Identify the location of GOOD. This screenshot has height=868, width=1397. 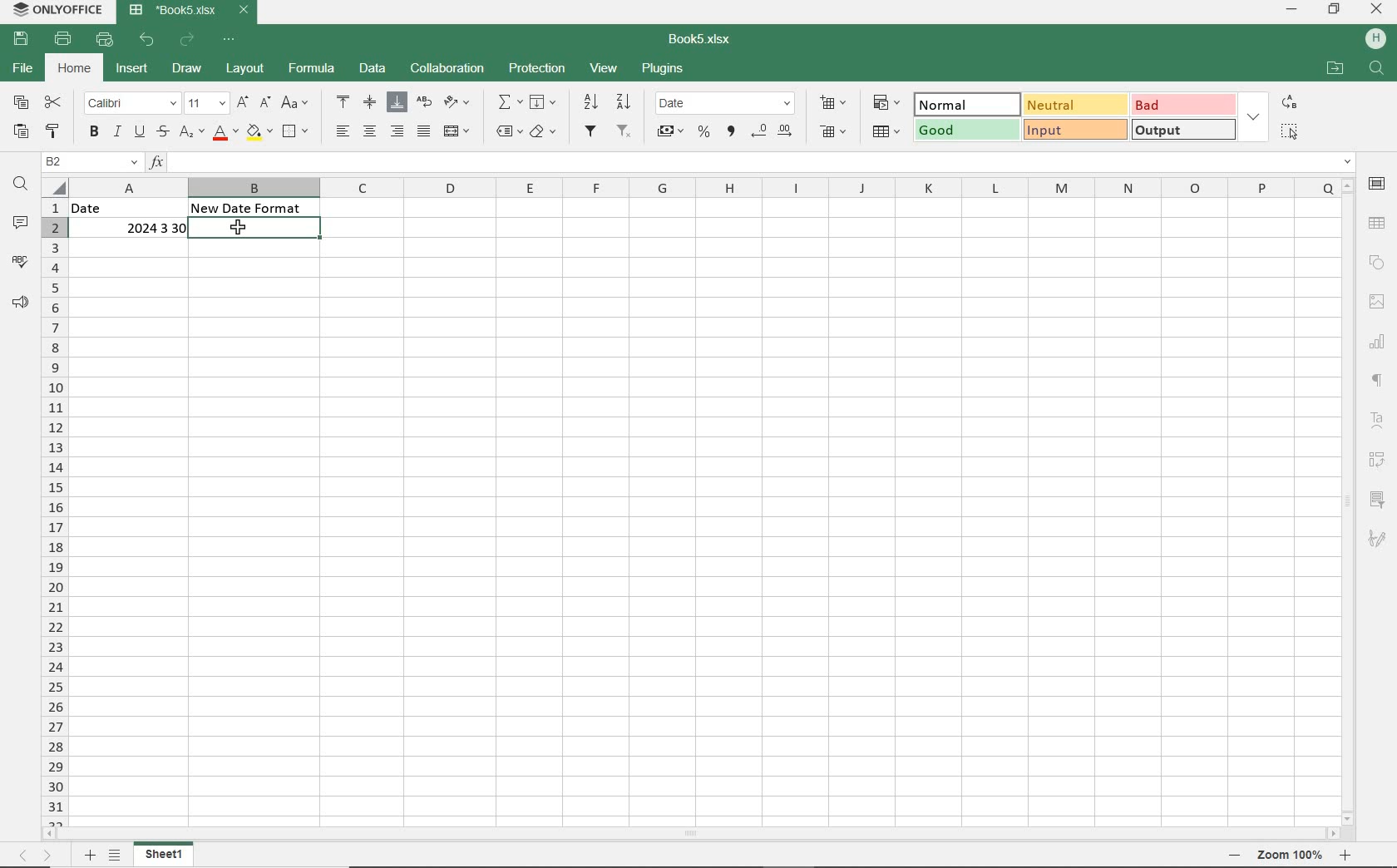
(964, 131).